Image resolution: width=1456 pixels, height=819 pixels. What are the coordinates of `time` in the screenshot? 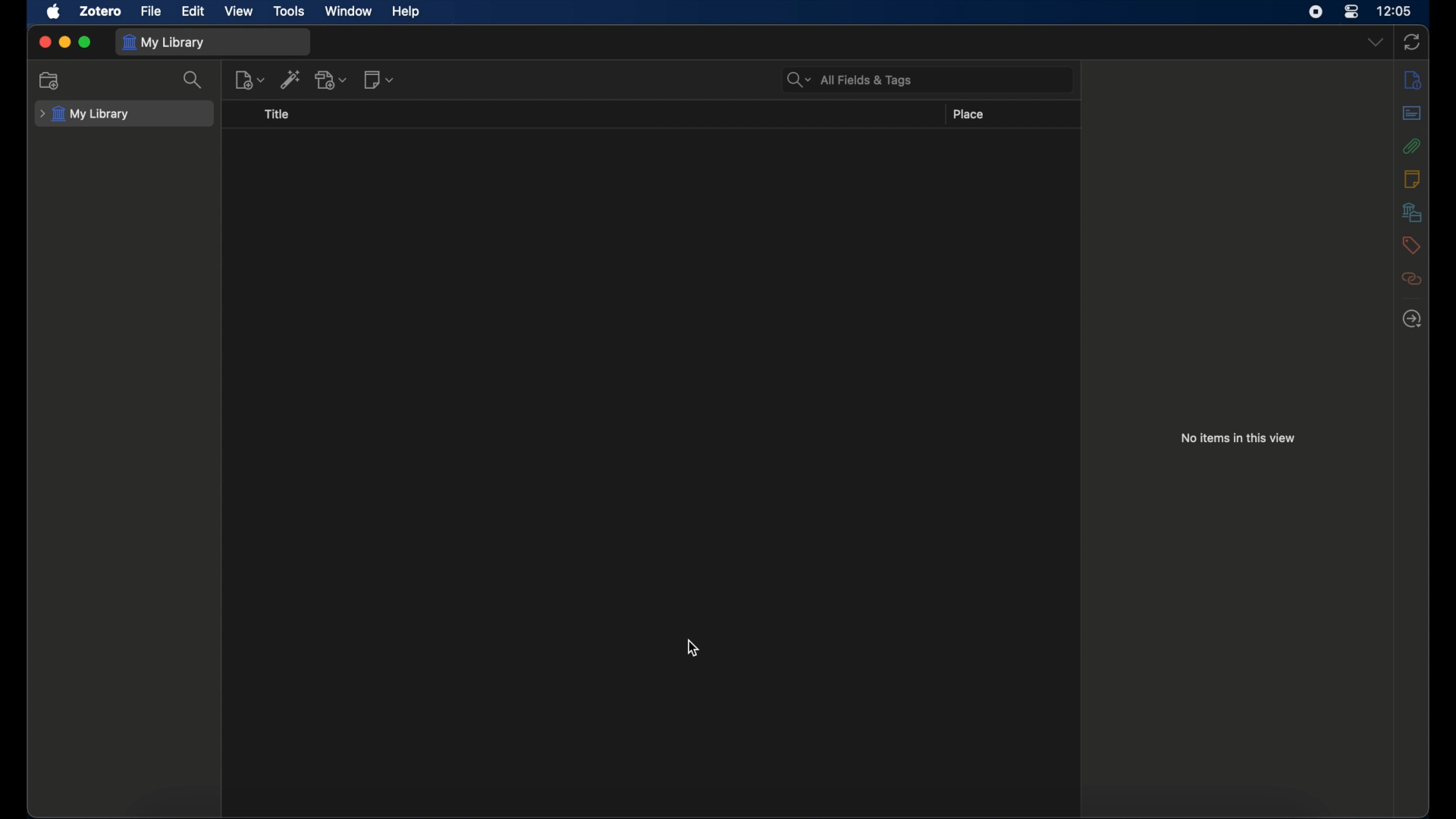 It's located at (1397, 10).